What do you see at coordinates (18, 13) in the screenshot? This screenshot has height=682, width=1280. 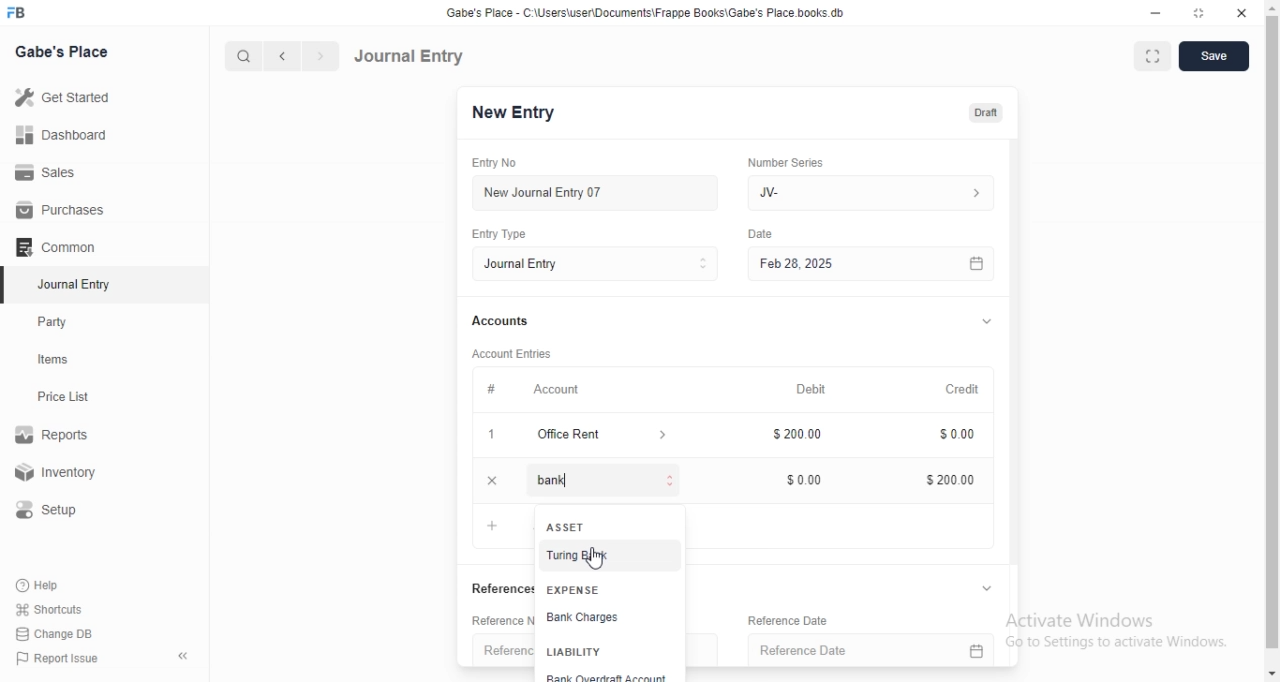 I see `FB logo` at bounding box center [18, 13].